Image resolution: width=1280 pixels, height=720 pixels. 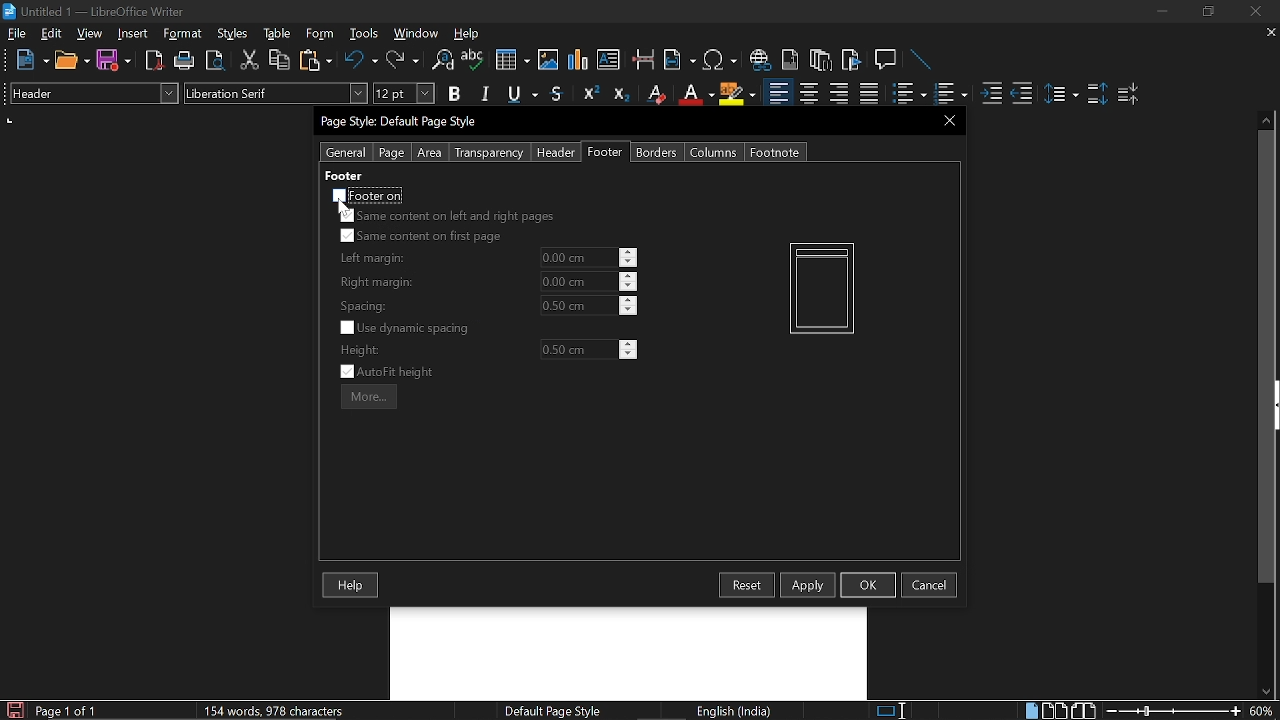 What do you see at coordinates (552, 153) in the screenshot?
I see `Header` at bounding box center [552, 153].